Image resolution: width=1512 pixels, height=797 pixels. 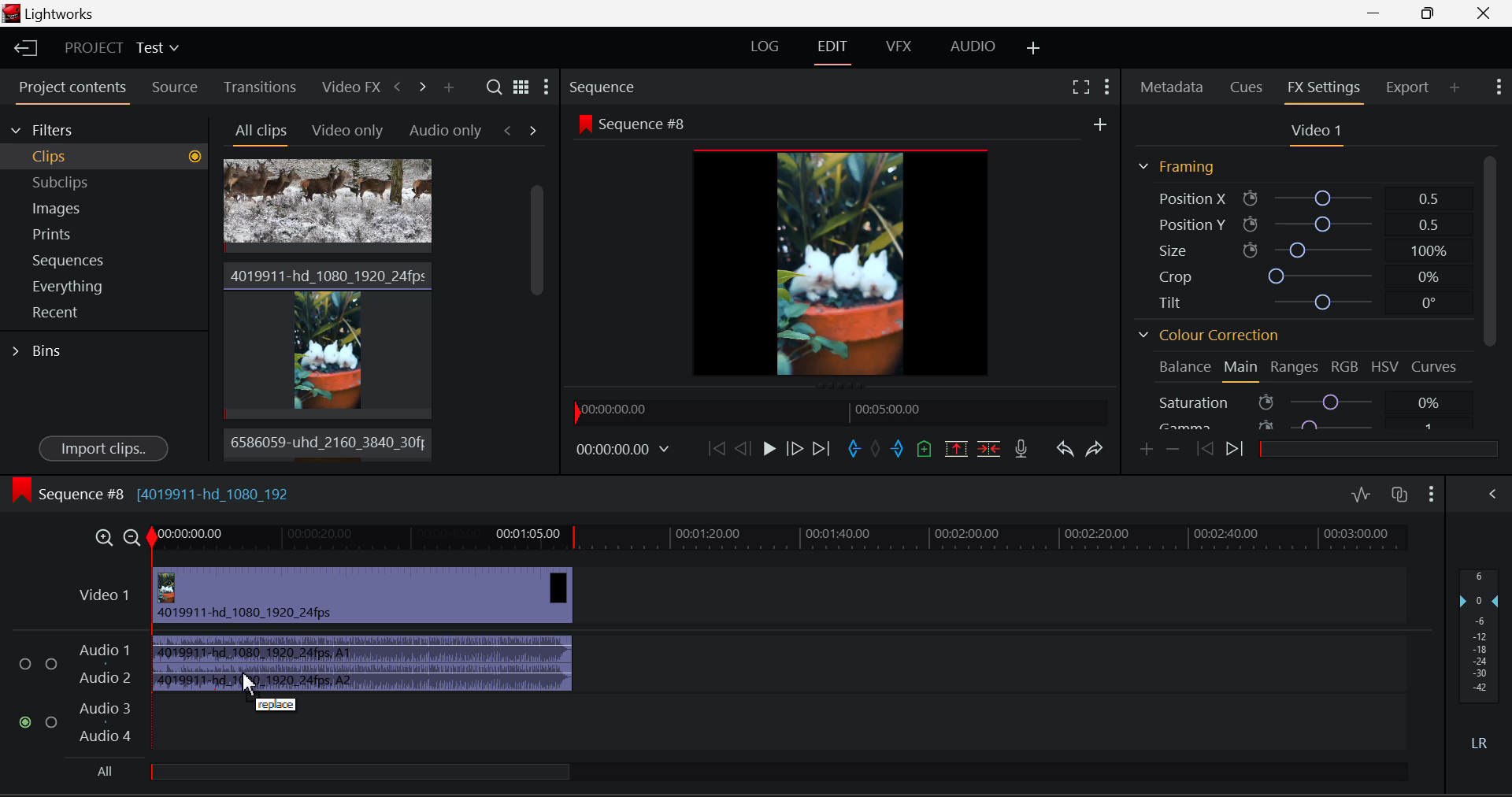 What do you see at coordinates (781, 541) in the screenshot?
I see `Timeline Track` at bounding box center [781, 541].